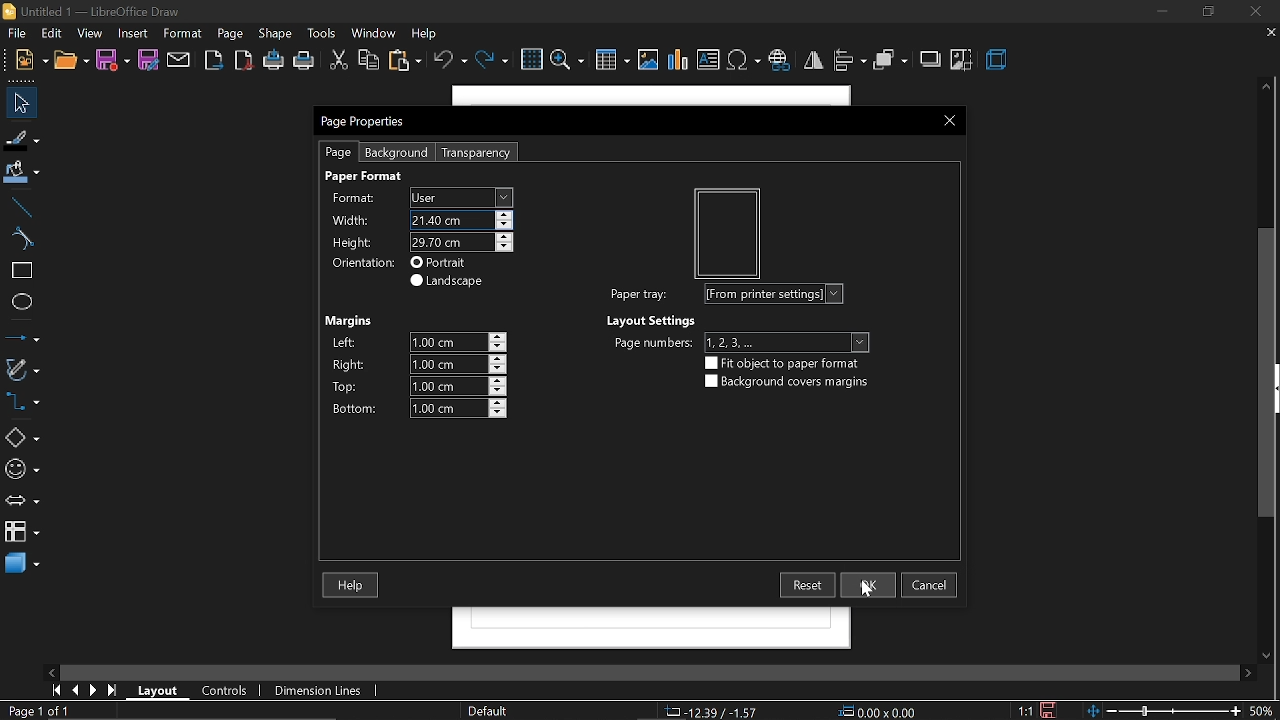  Describe the element at coordinates (1246, 671) in the screenshot. I see `move right` at that location.